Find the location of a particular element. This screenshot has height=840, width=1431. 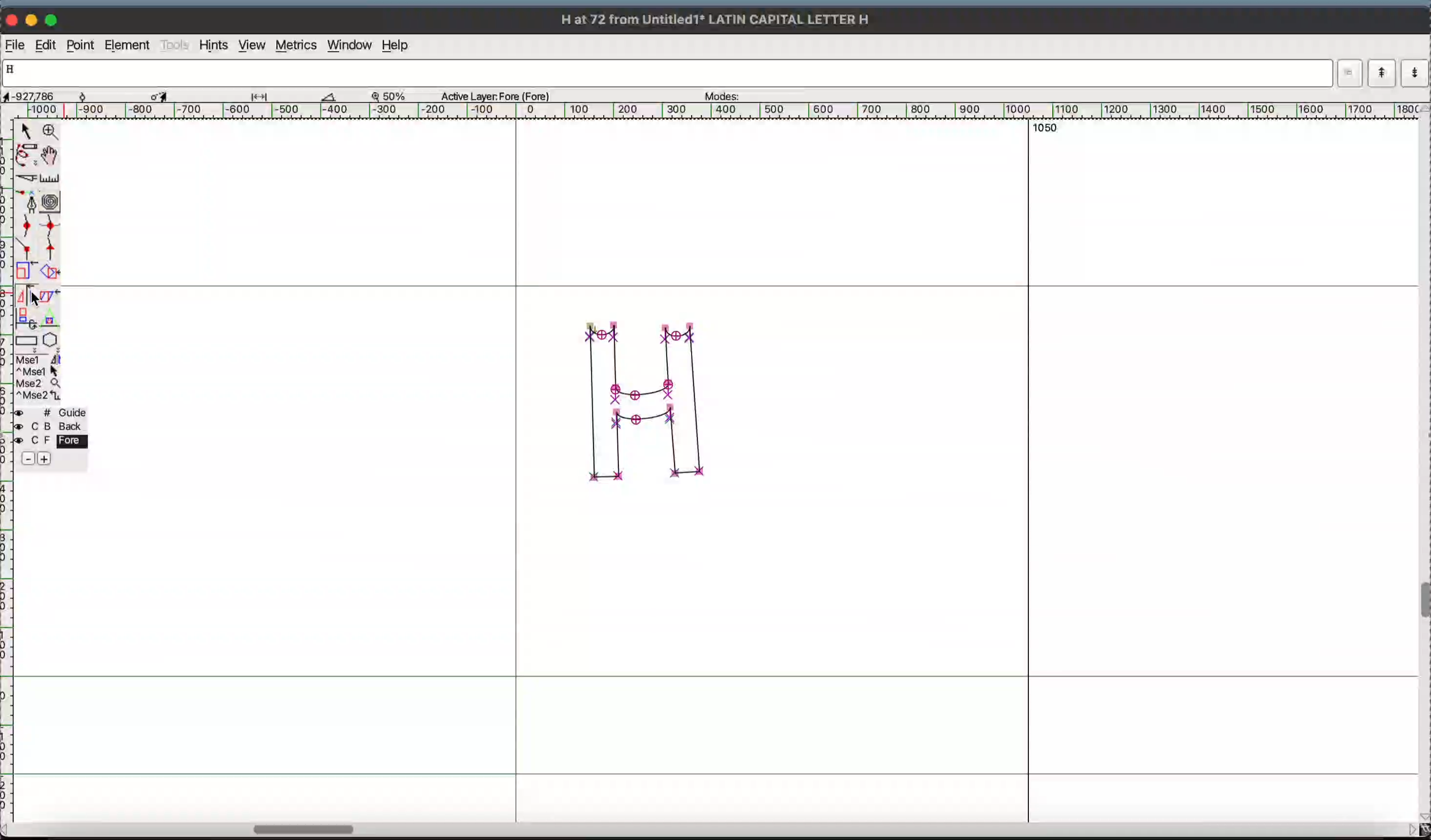

cursor is located at coordinates (37, 299).